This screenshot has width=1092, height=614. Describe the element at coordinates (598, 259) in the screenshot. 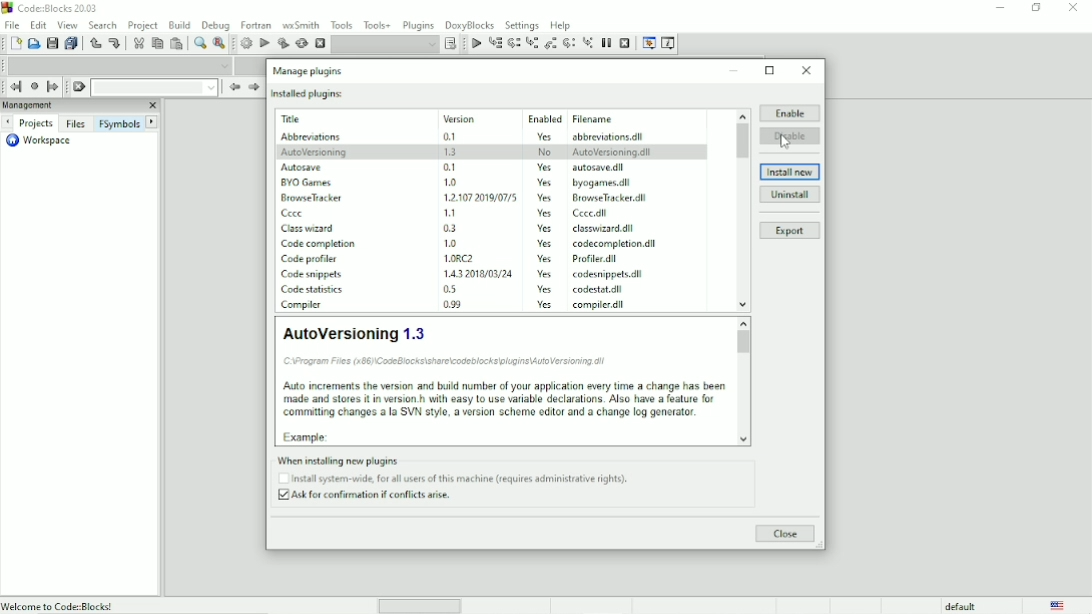

I see `Profiler.dll` at that location.